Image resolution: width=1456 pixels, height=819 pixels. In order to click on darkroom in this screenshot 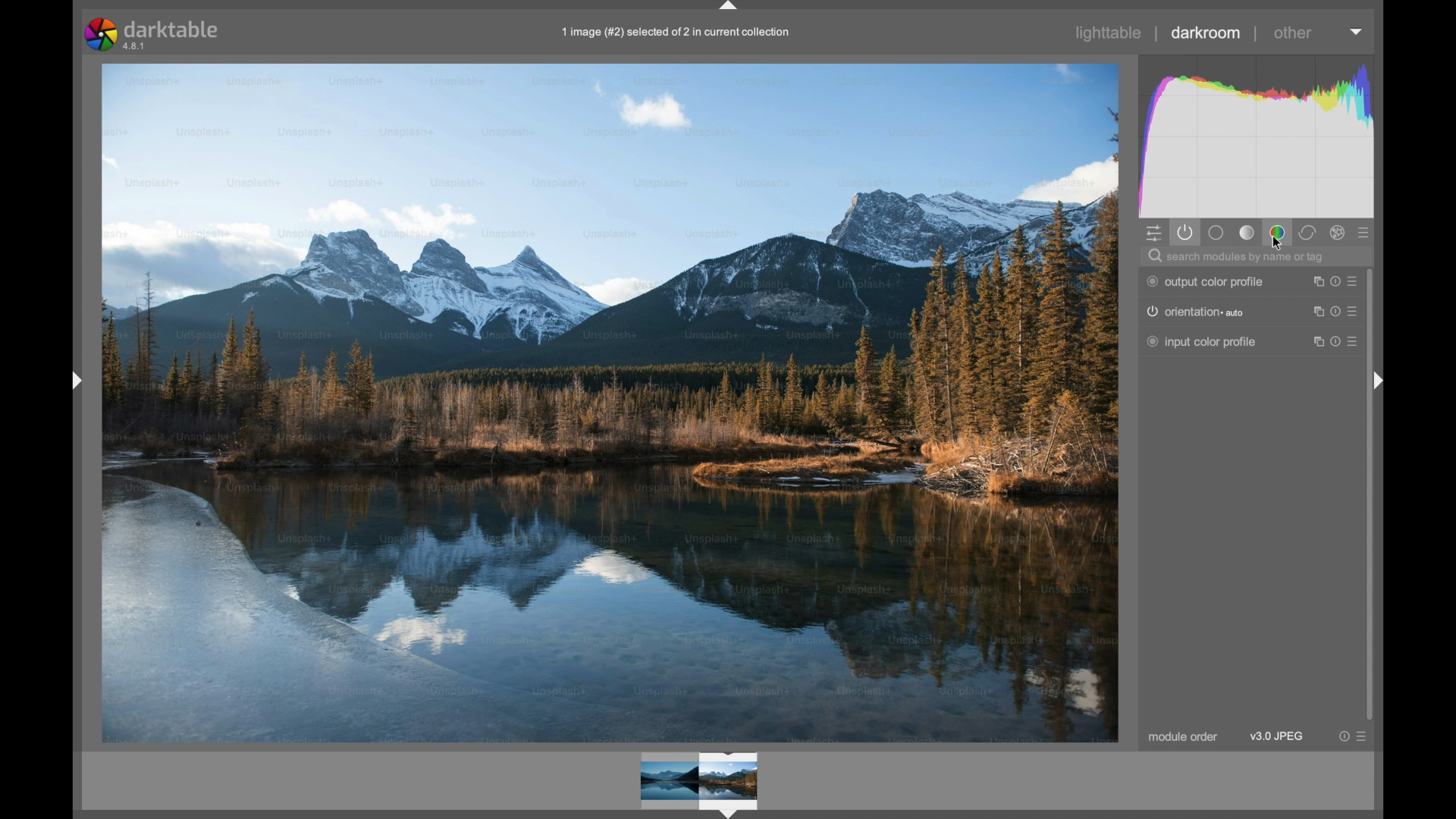, I will do `click(1206, 33)`.